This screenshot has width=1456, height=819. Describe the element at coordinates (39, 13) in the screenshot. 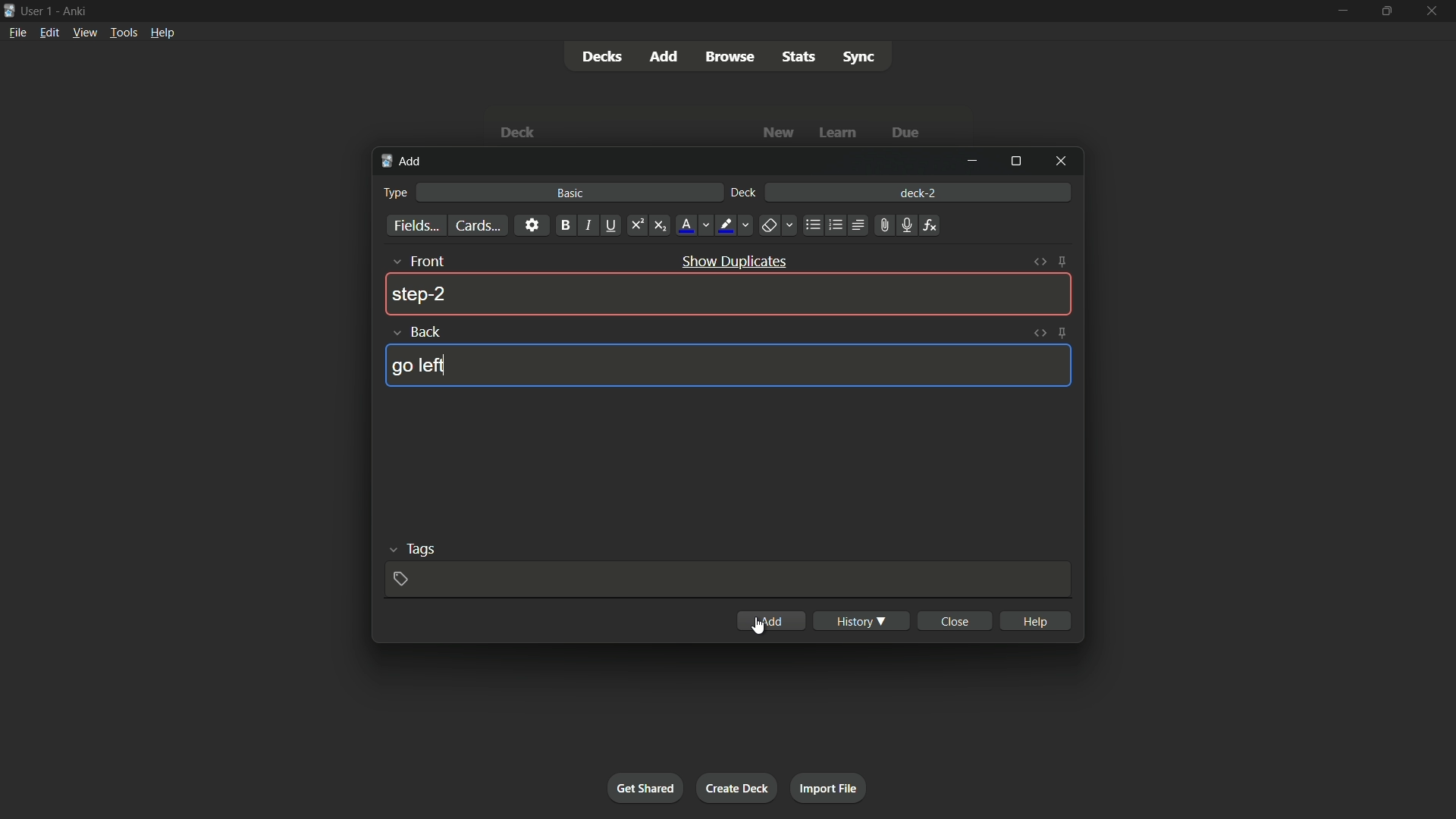

I see `user 1` at that location.